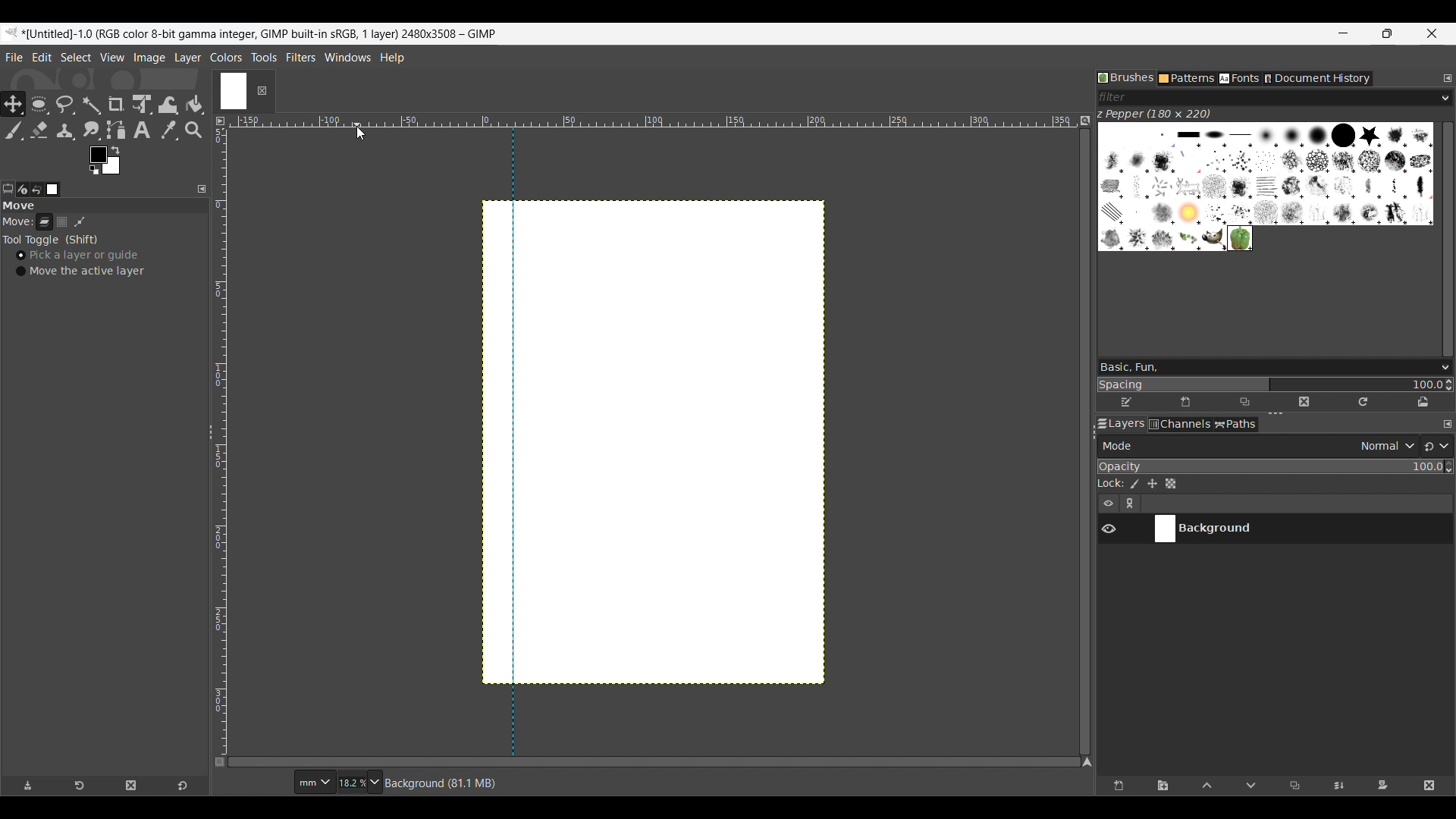 The height and width of the screenshot is (819, 1456). Describe the element at coordinates (1239, 79) in the screenshot. I see `Fonts tab` at that location.